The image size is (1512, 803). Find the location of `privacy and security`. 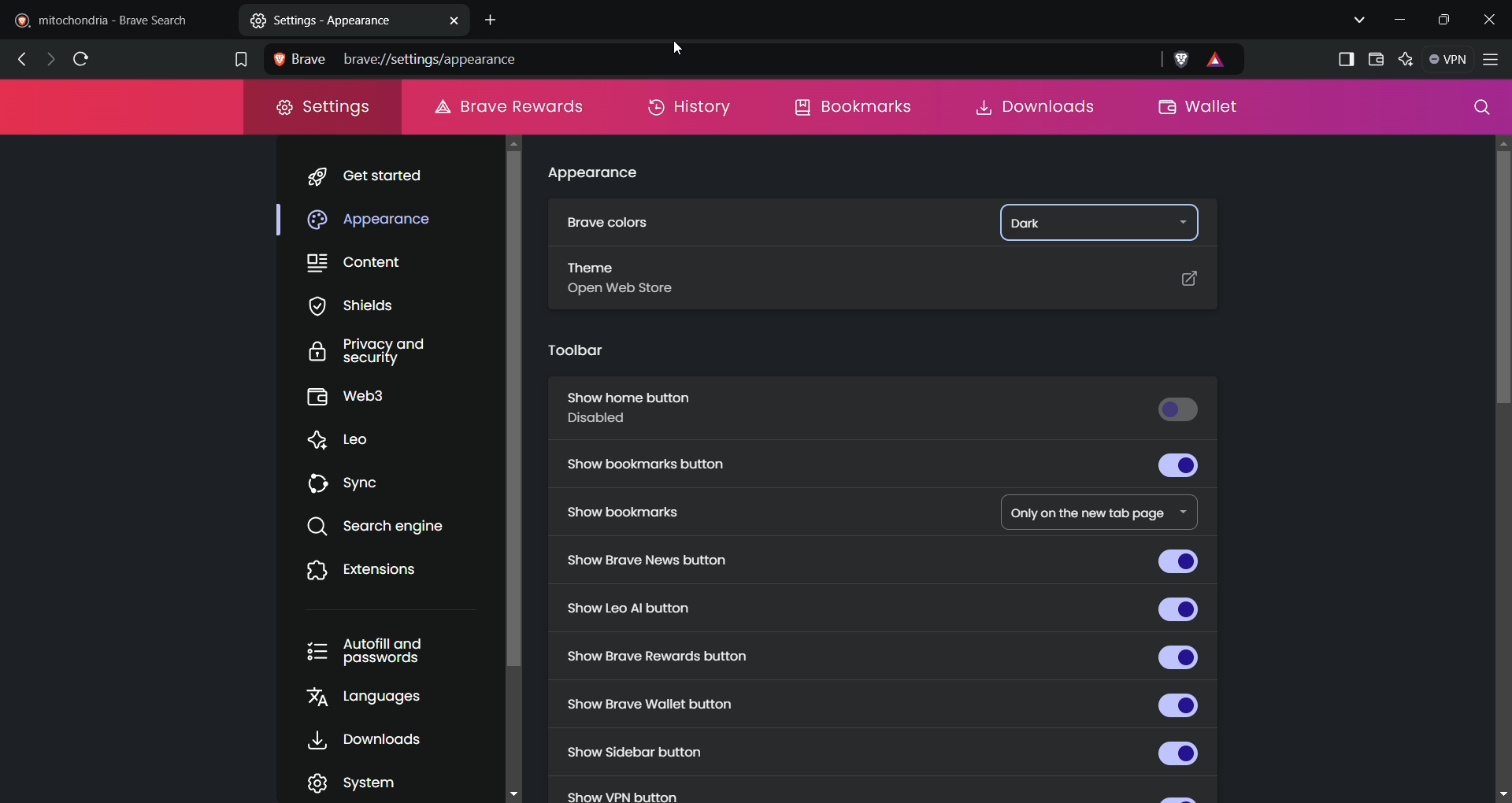

privacy and security is located at coordinates (372, 352).